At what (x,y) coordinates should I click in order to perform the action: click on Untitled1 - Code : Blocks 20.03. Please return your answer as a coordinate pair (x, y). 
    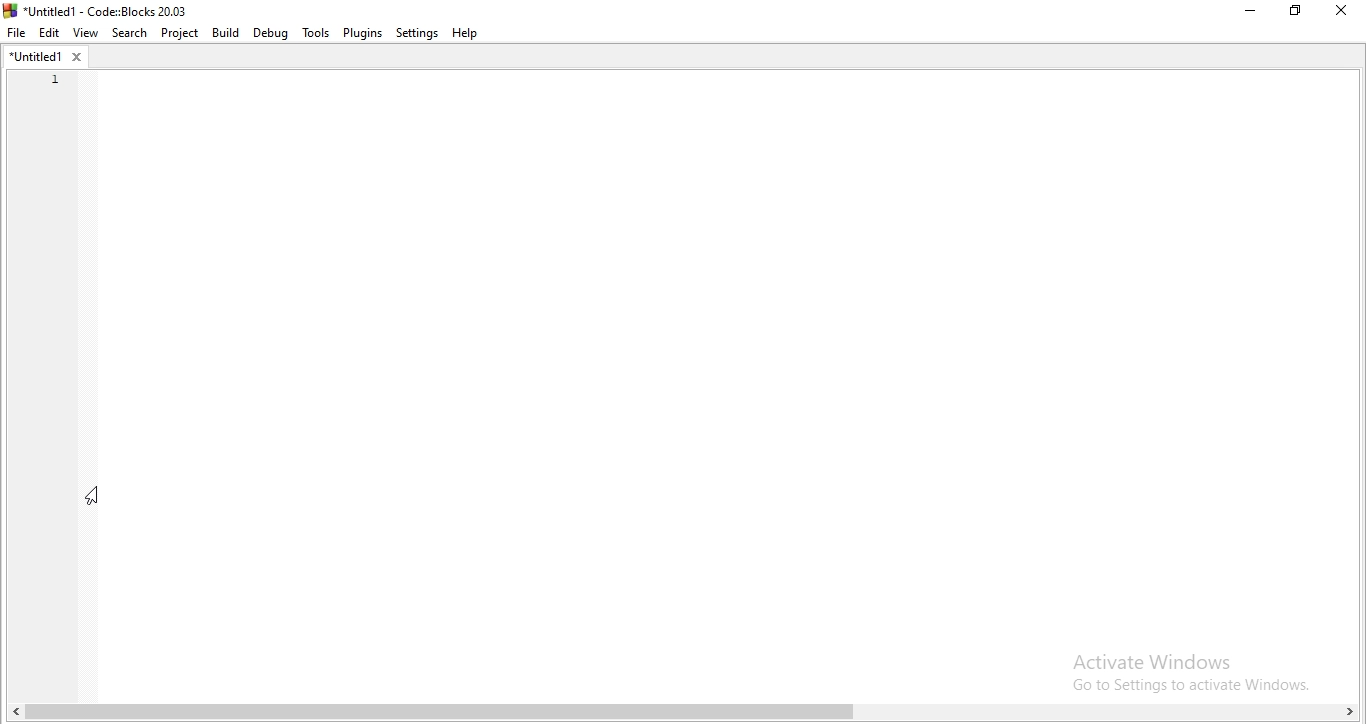
    Looking at the image, I should click on (99, 10).